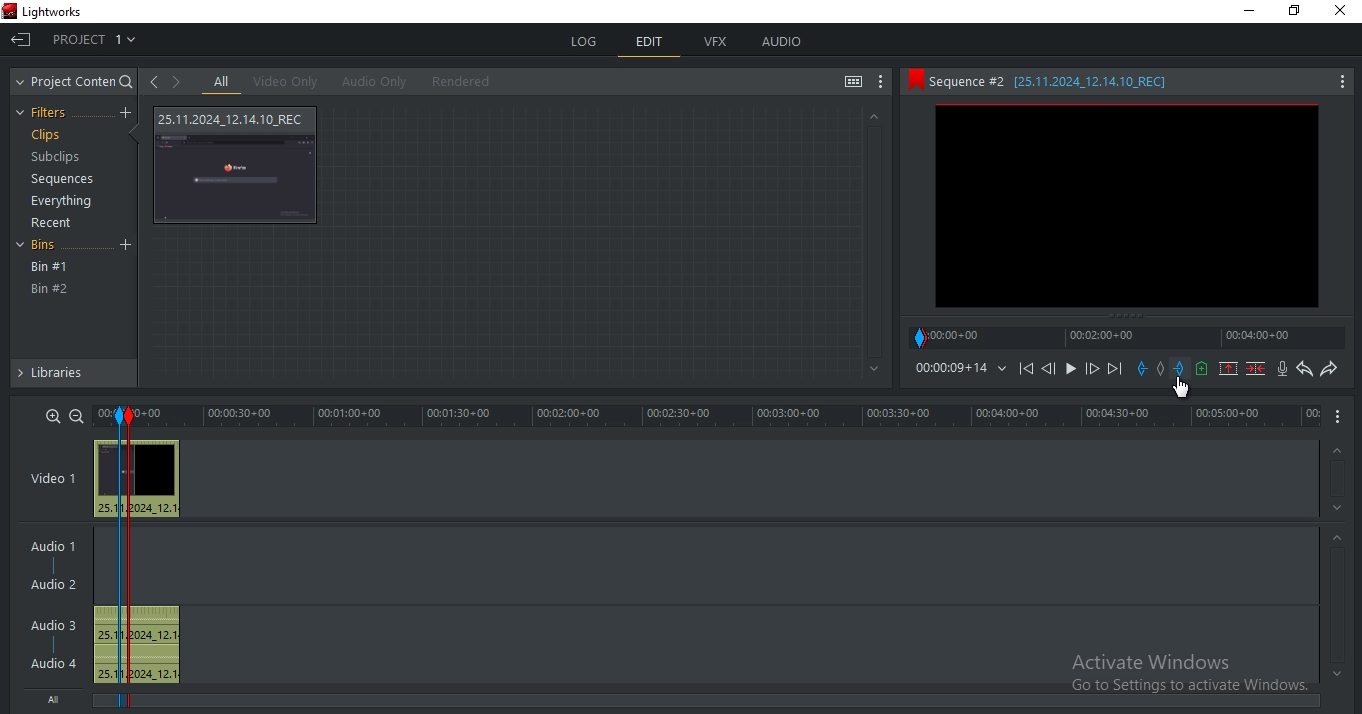  Describe the element at coordinates (371, 82) in the screenshot. I see `audio only` at that location.